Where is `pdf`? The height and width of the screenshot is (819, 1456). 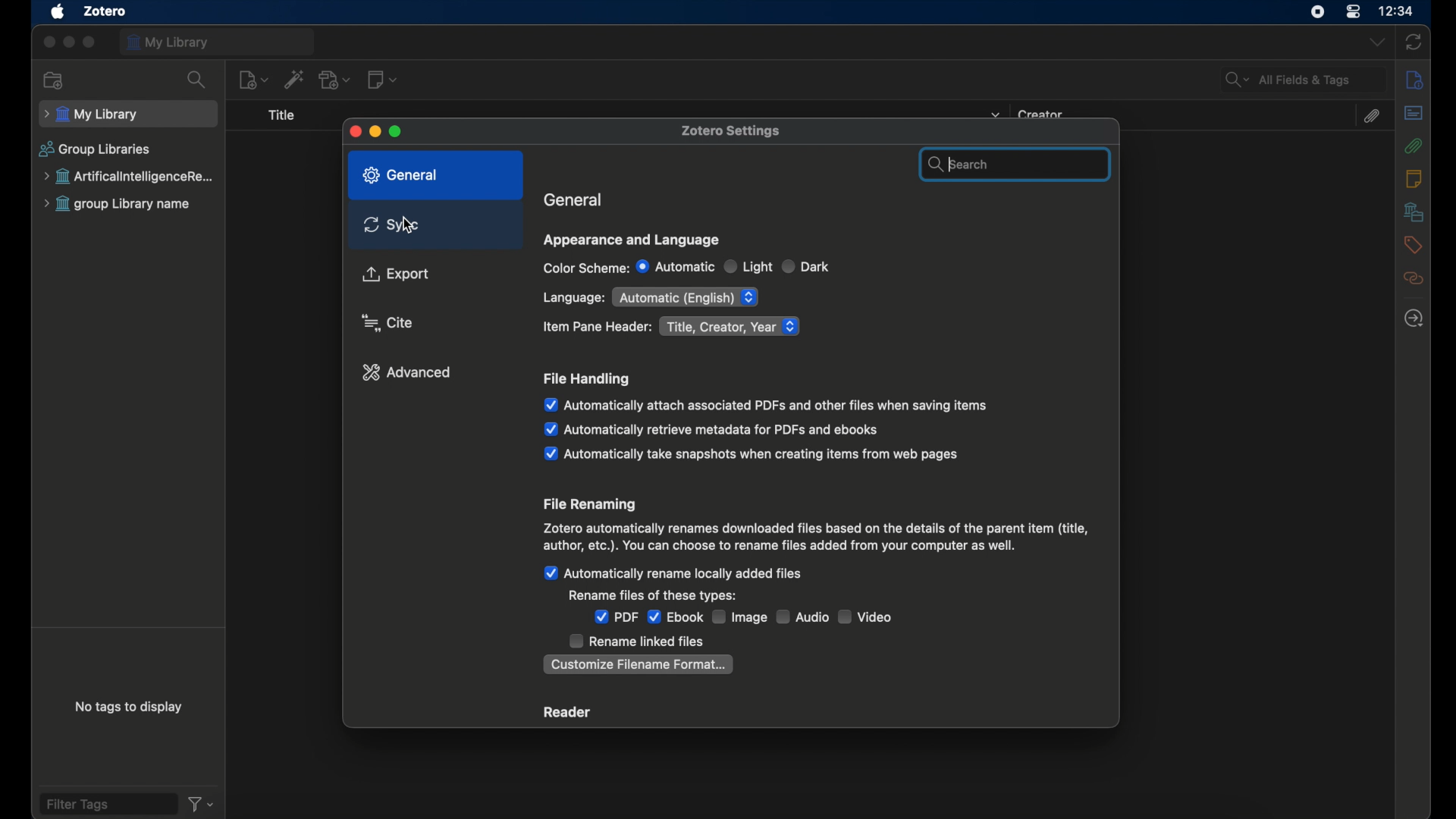 pdf is located at coordinates (614, 617).